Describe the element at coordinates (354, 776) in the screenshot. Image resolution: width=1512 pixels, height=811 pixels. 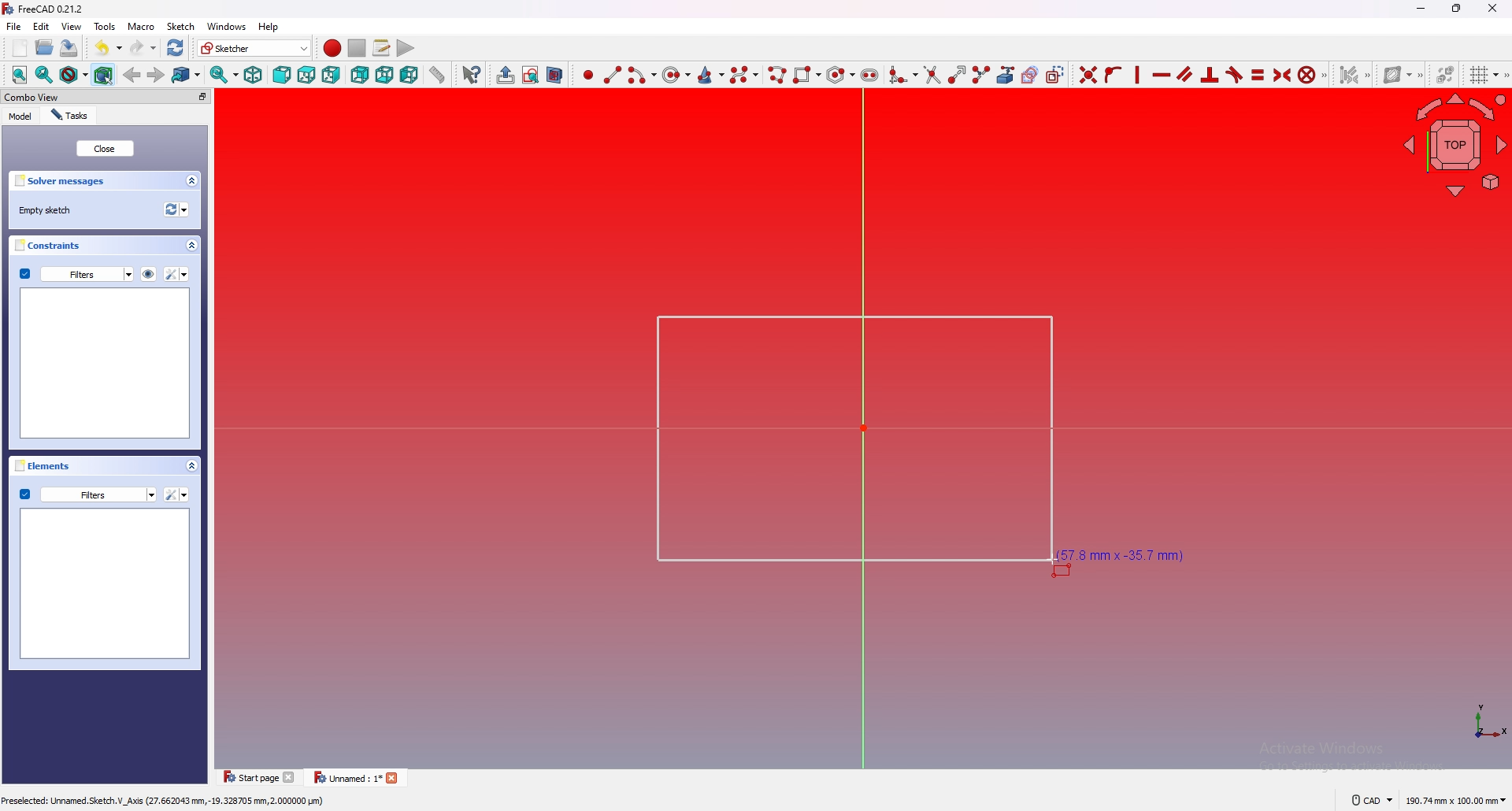
I see `tab` at that location.